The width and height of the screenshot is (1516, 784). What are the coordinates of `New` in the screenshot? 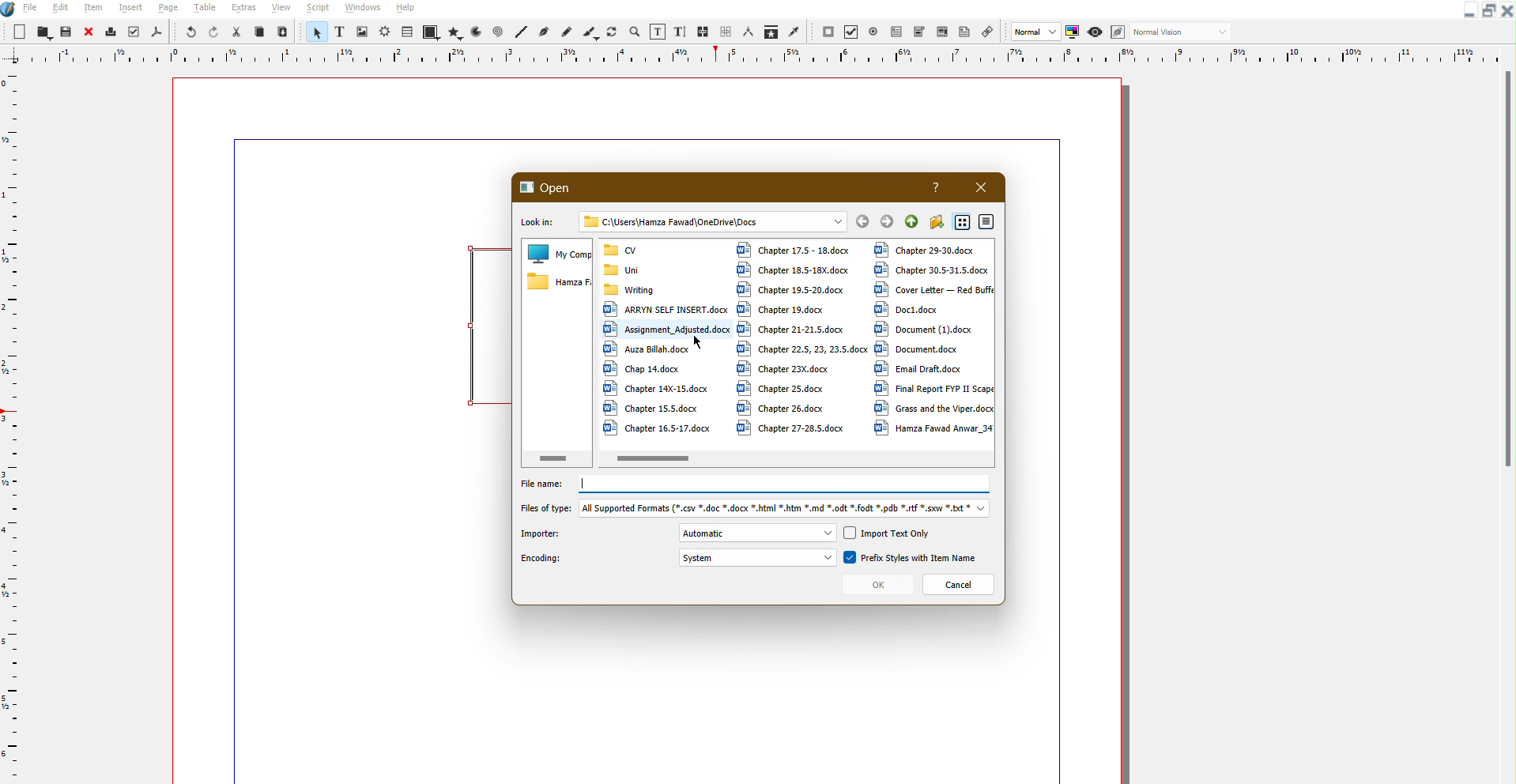 It's located at (21, 32).